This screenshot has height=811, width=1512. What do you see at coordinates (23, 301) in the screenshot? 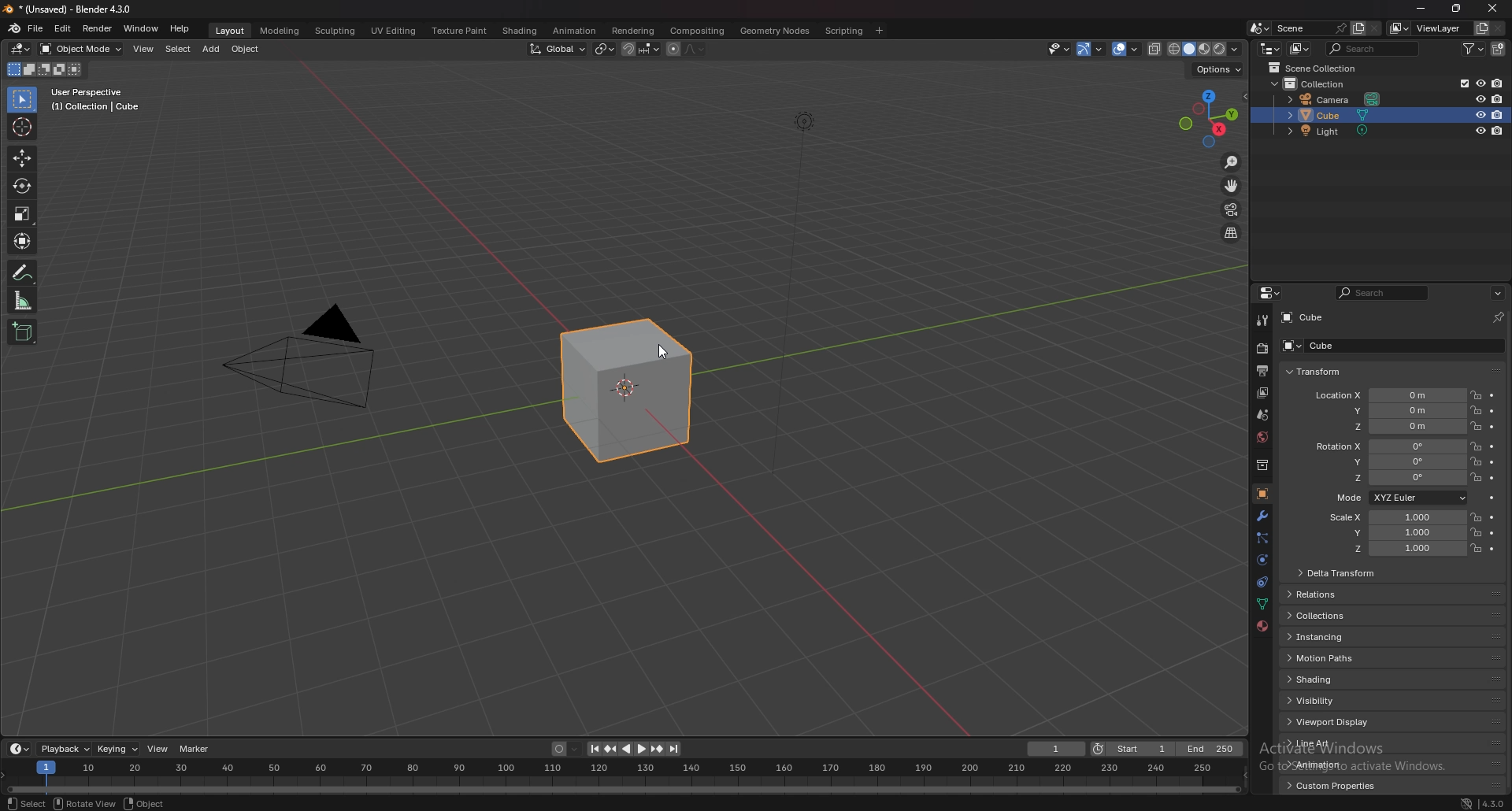
I see `measure` at bounding box center [23, 301].